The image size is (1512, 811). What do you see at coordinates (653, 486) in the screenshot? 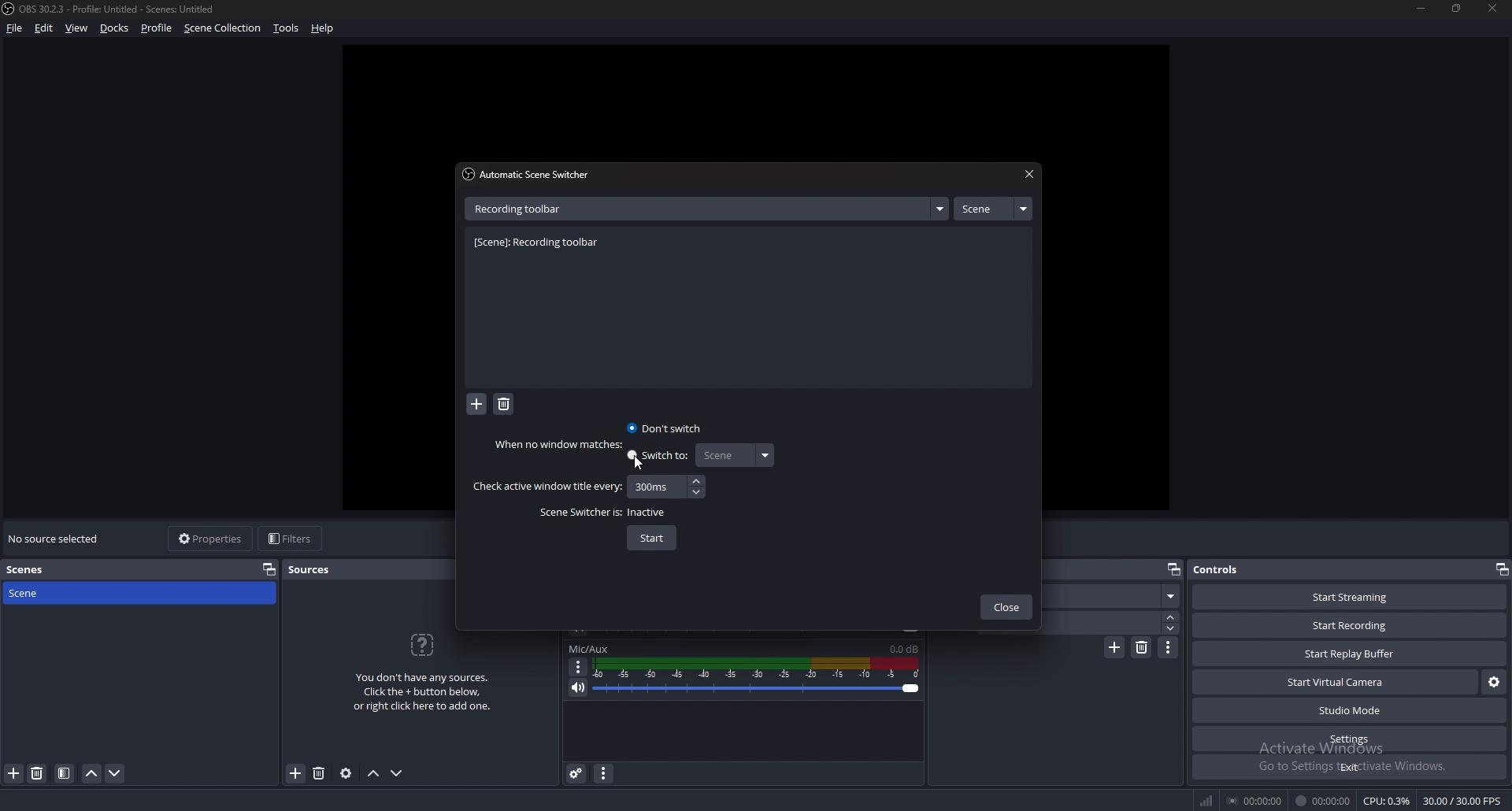
I see `time` at bounding box center [653, 486].